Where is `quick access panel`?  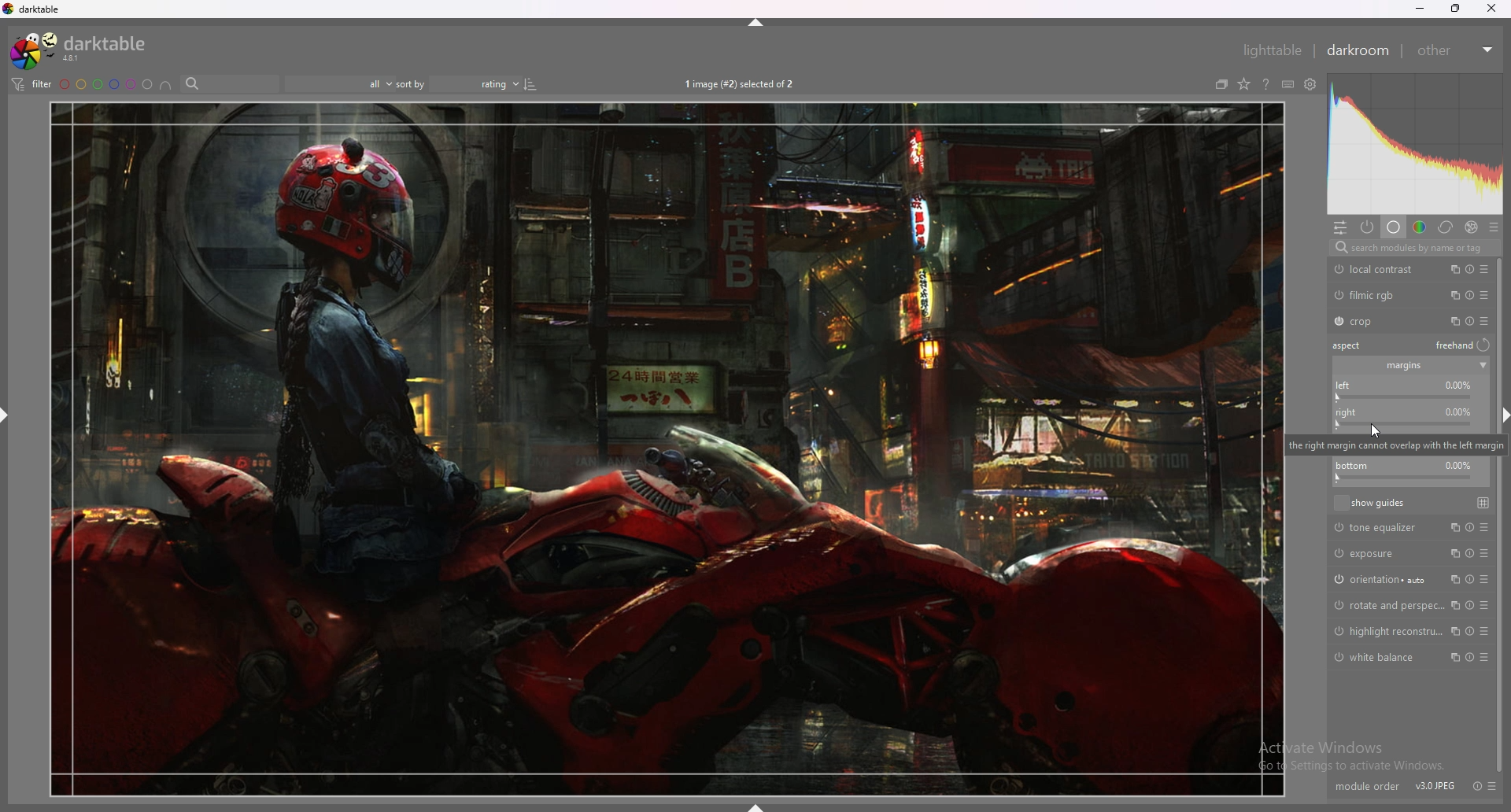 quick access panel is located at coordinates (1340, 227).